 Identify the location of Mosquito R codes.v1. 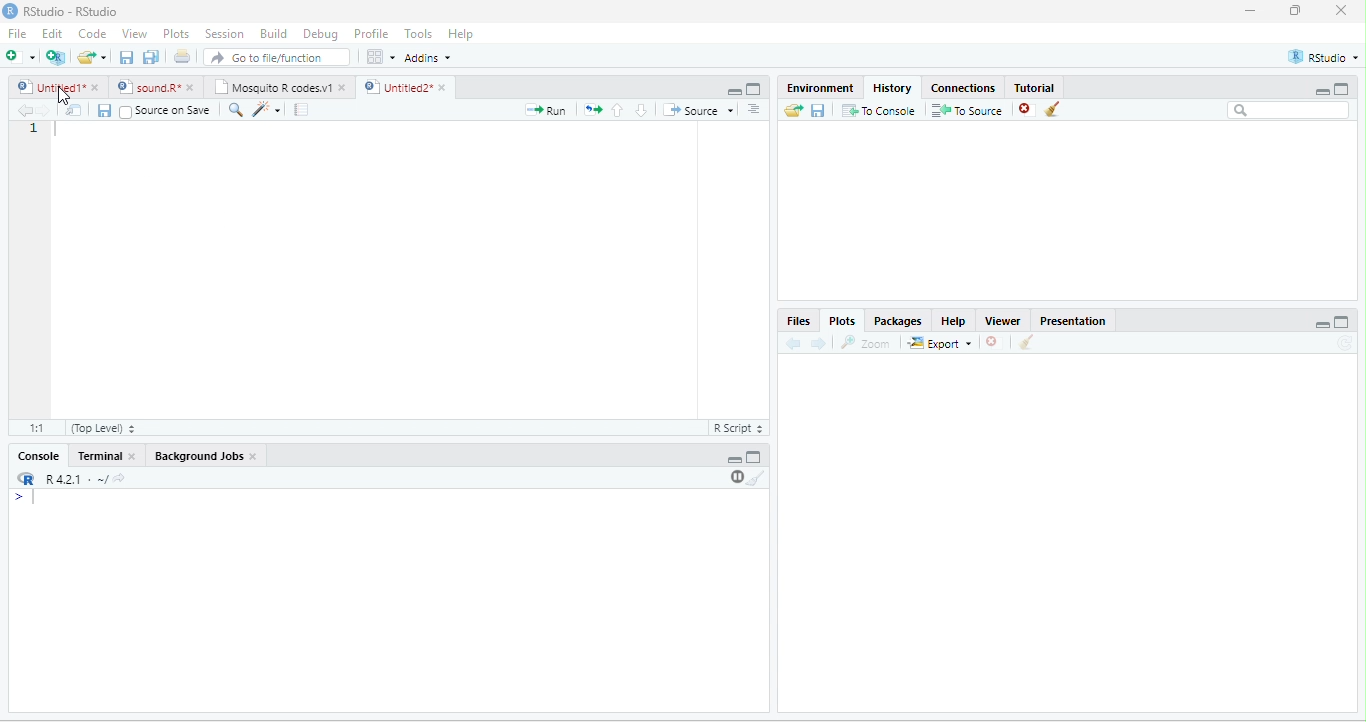
(271, 87).